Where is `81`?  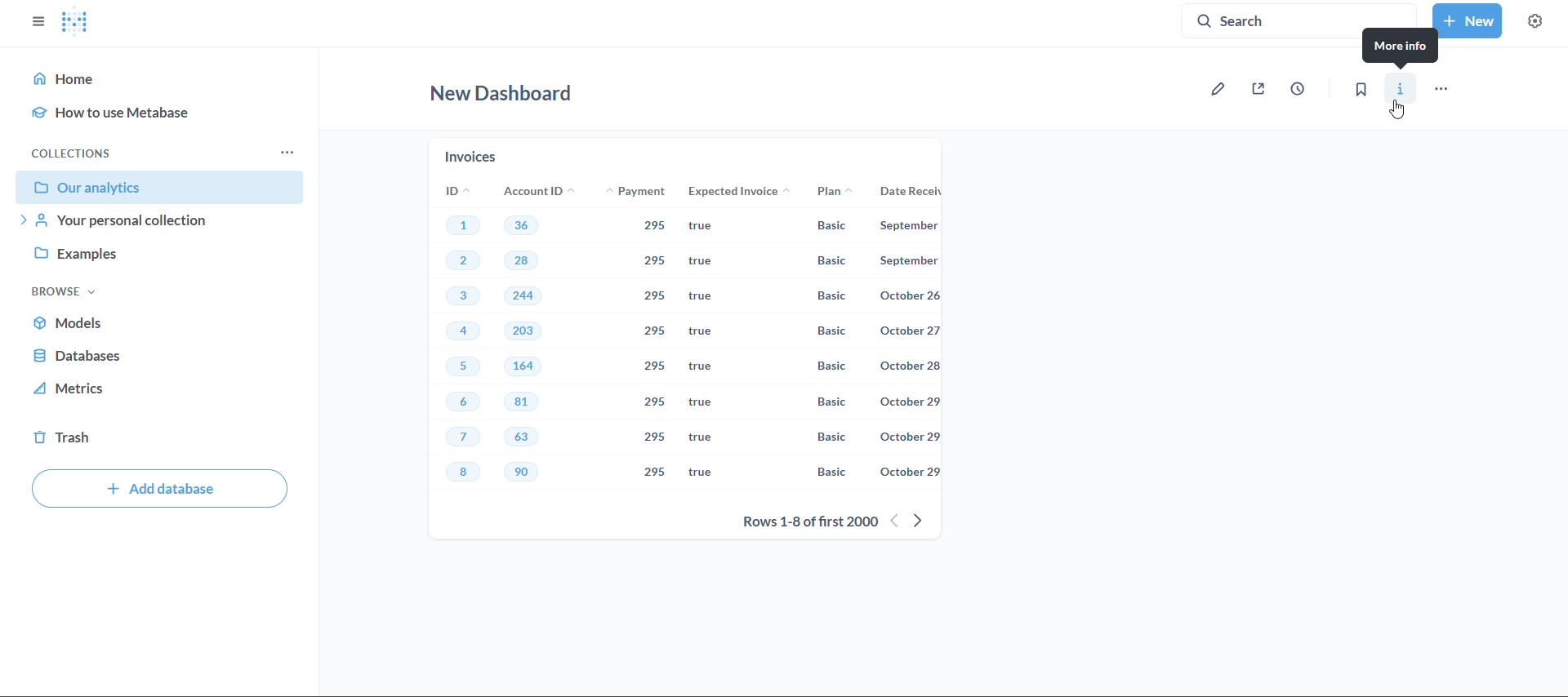
81 is located at coordinates (523, 402).